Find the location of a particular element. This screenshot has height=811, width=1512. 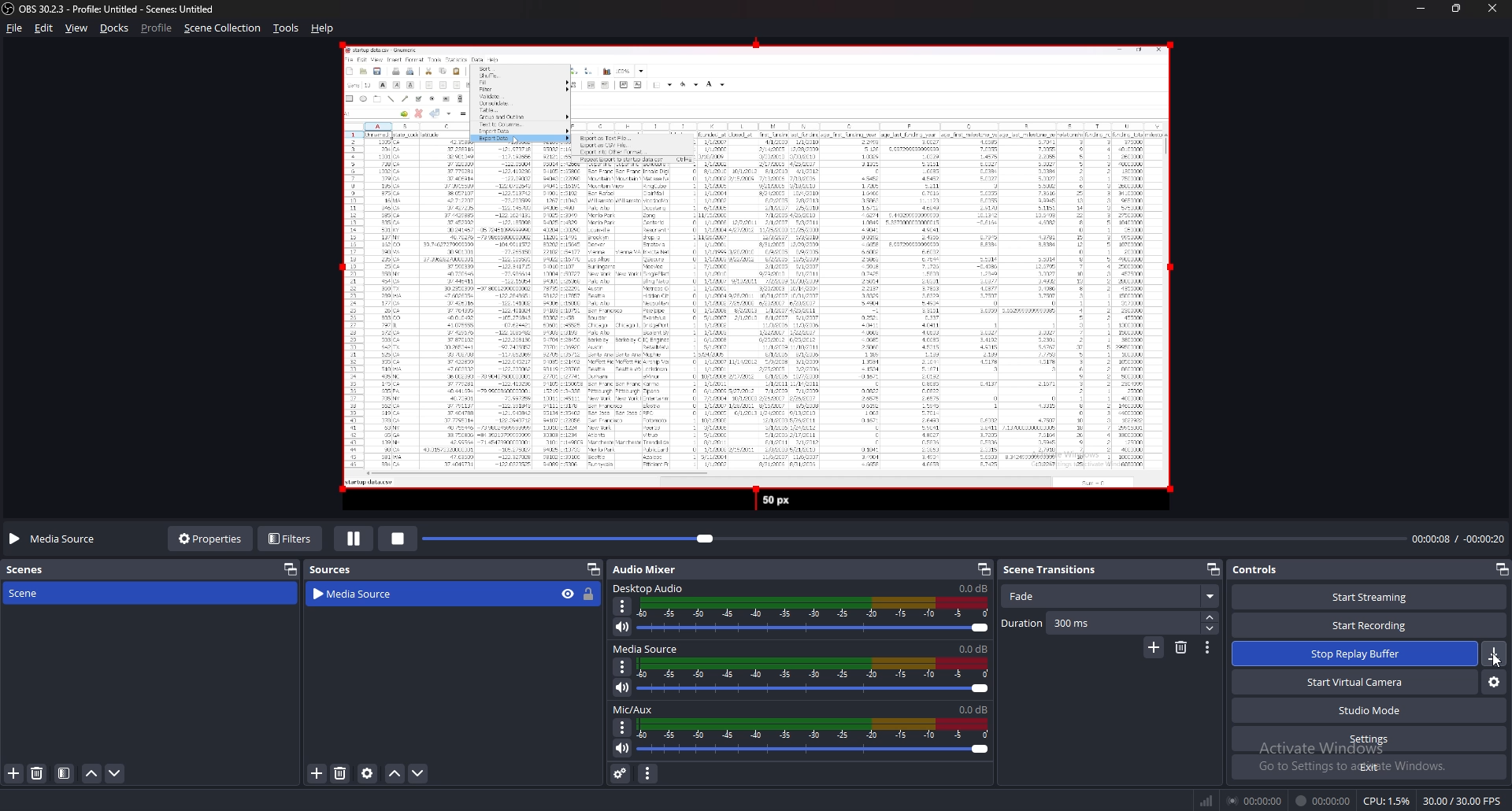

cursor is located at coordinates (1497, 660).